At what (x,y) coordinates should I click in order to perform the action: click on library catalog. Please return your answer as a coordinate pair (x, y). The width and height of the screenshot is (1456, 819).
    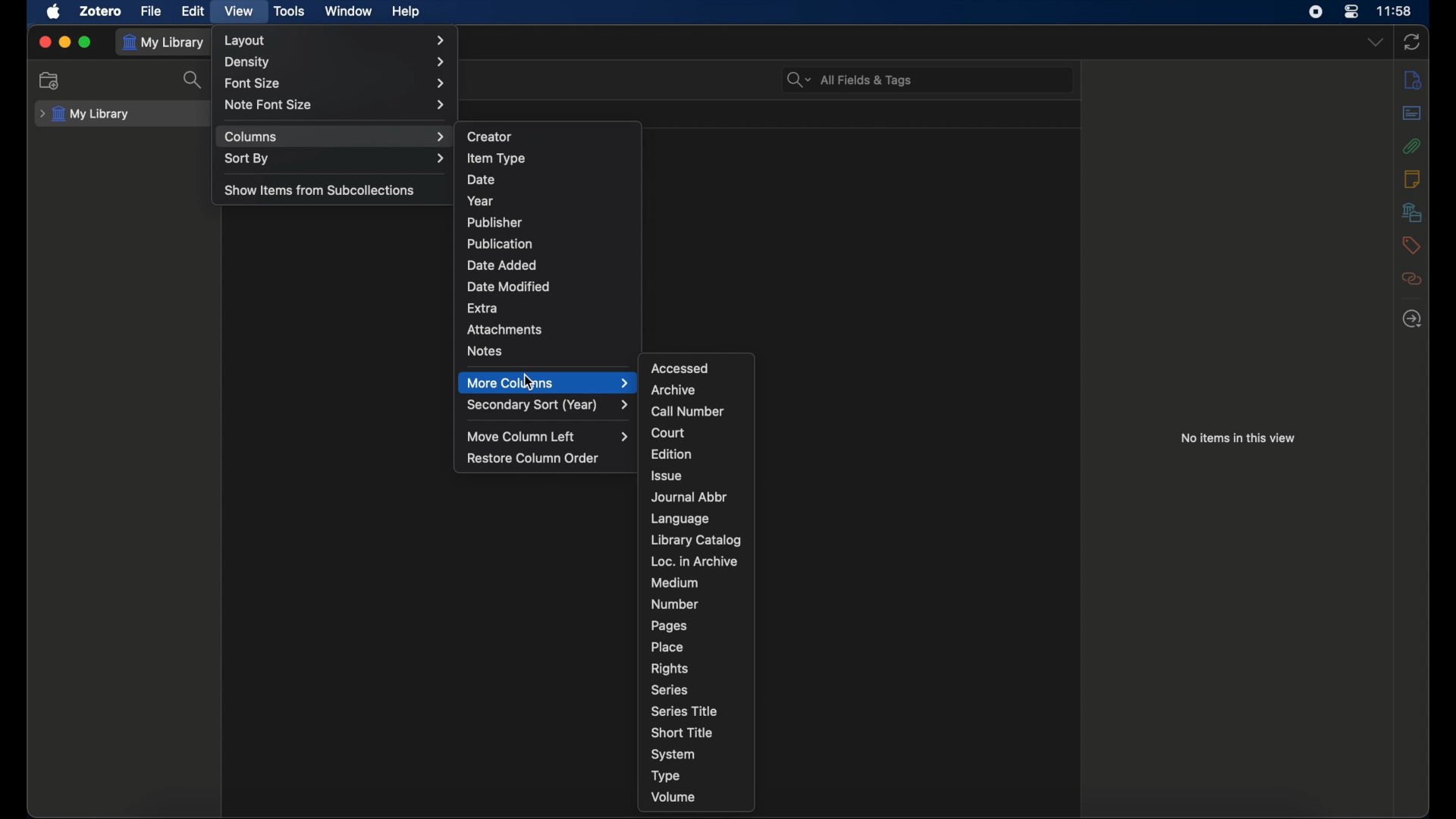
    Looking at the image, I should click on (698, 540).